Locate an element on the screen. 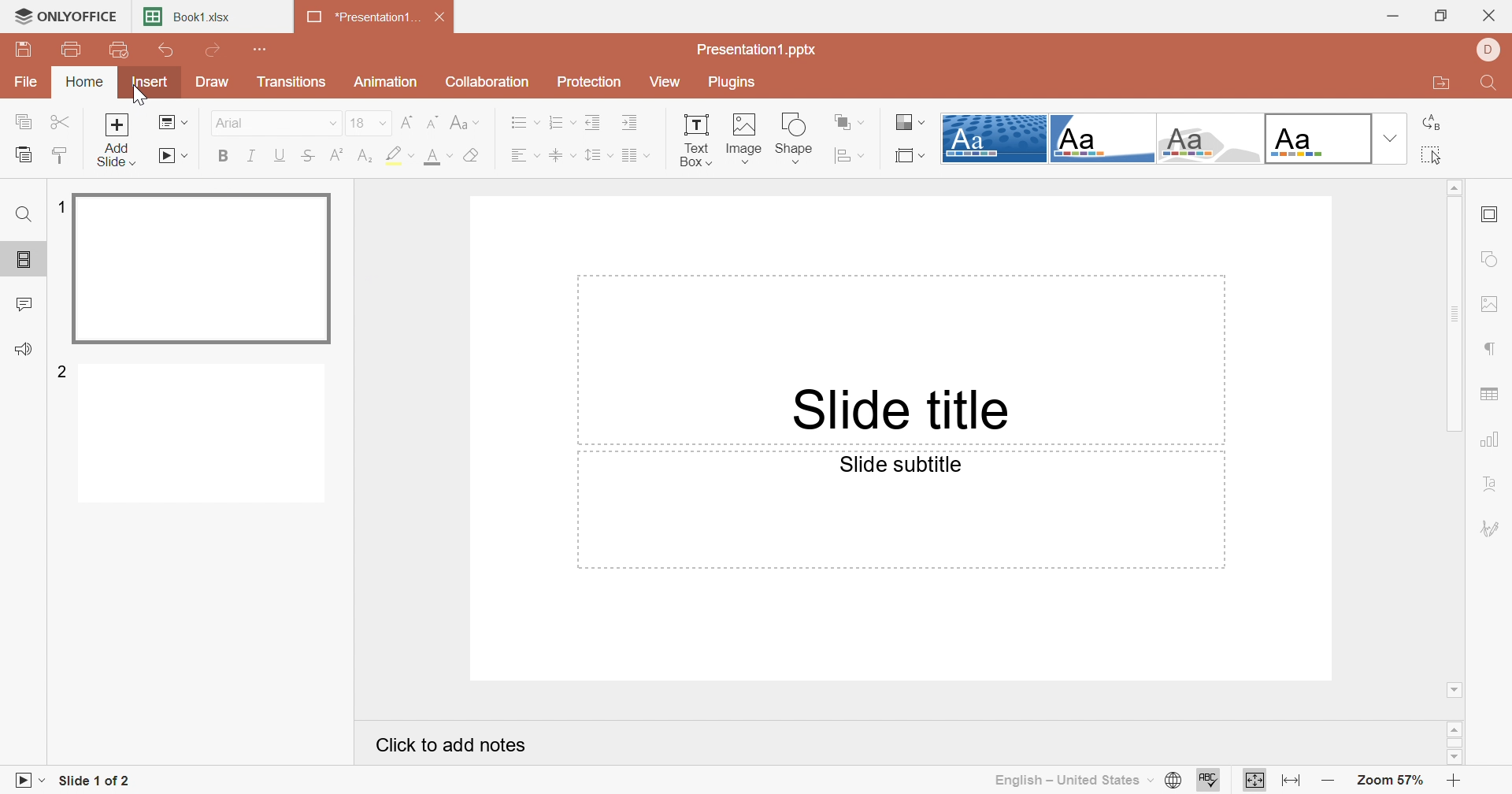  Replace is located at coordinates (1431, 125).